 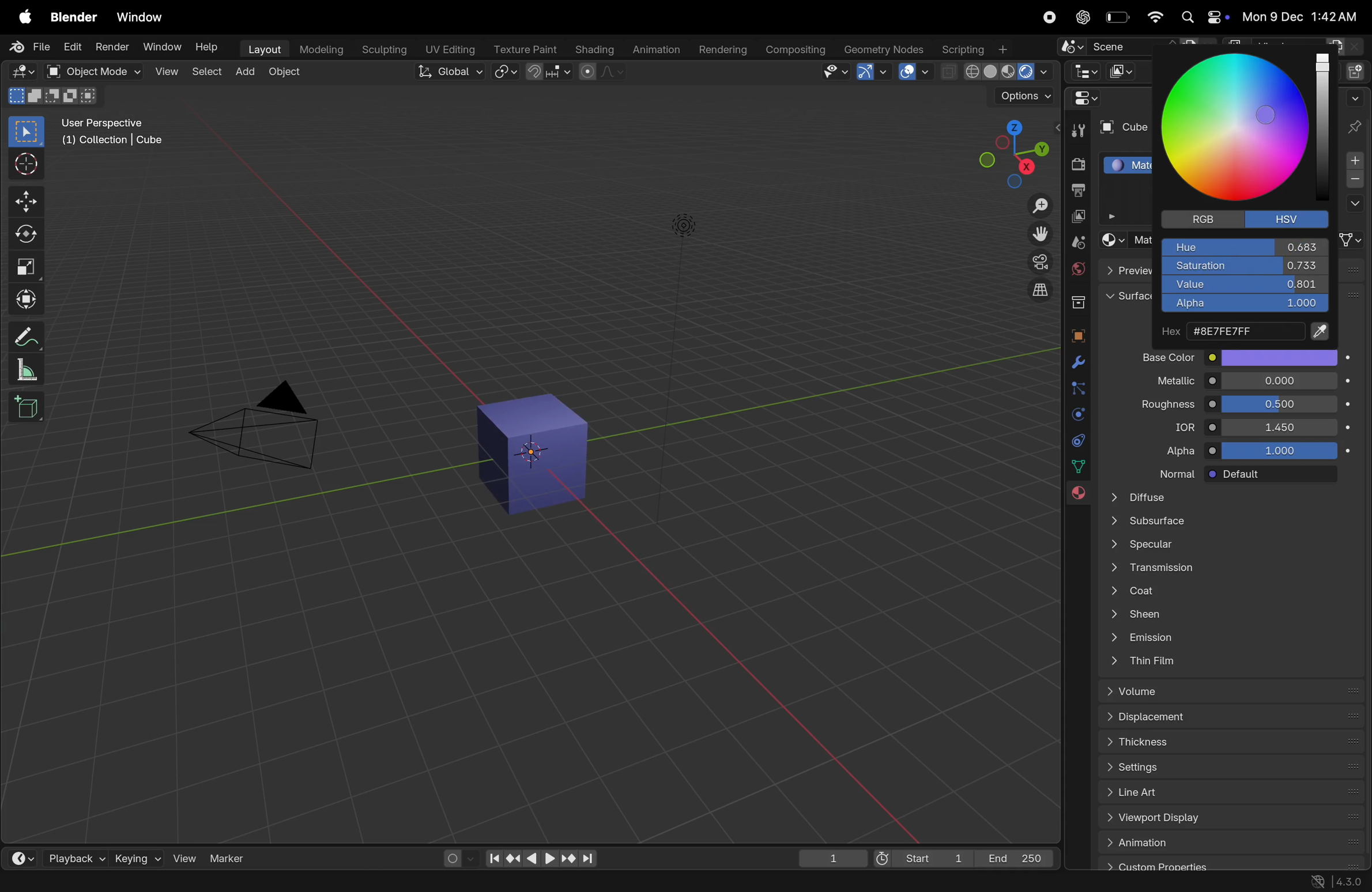 What do you see at coordinates (383, 50) in the screenshot?
I see `sculpting` at bounding box center [383, 50].